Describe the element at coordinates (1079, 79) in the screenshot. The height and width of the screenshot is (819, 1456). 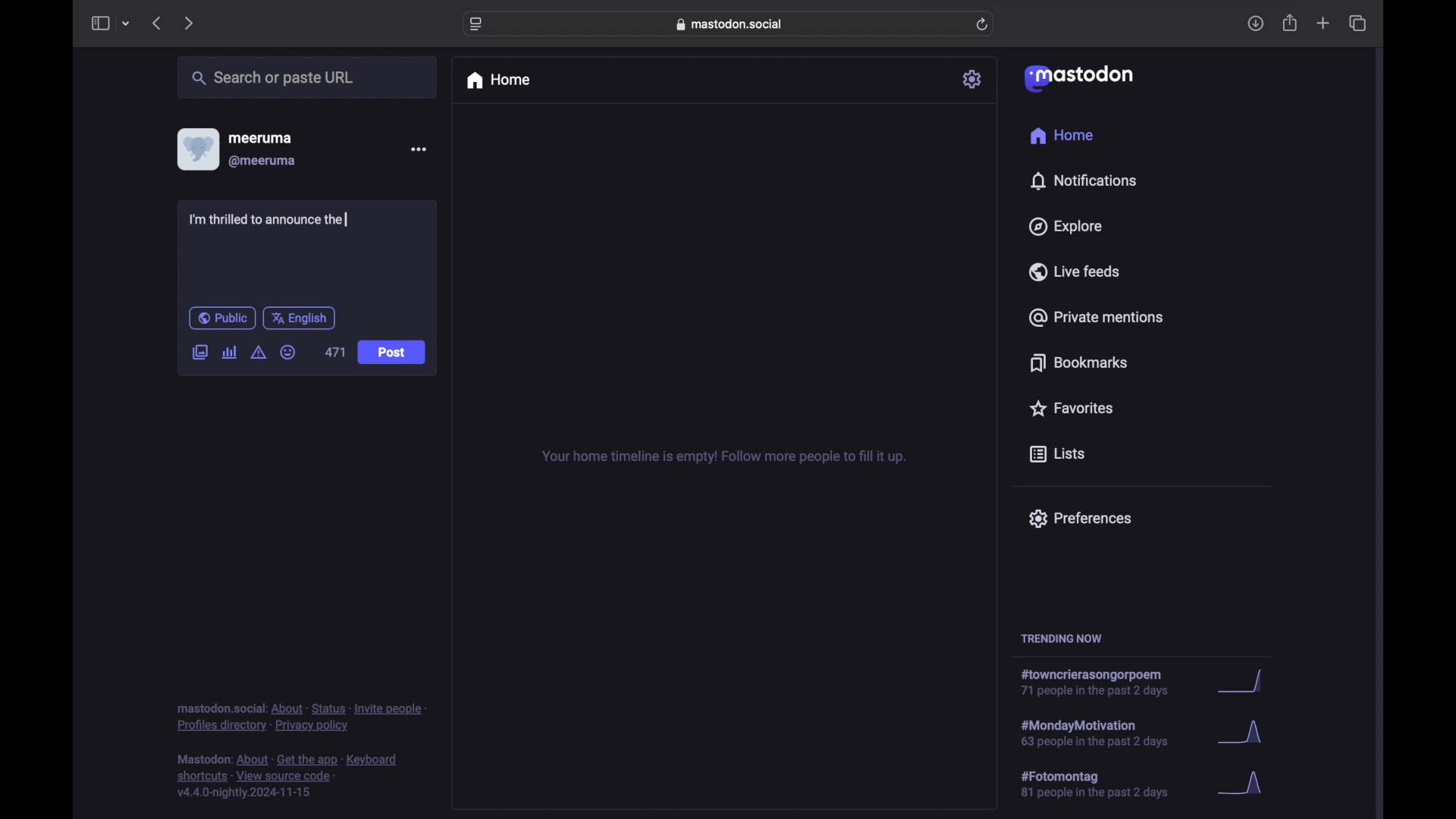
I see `mastodon` at that location.